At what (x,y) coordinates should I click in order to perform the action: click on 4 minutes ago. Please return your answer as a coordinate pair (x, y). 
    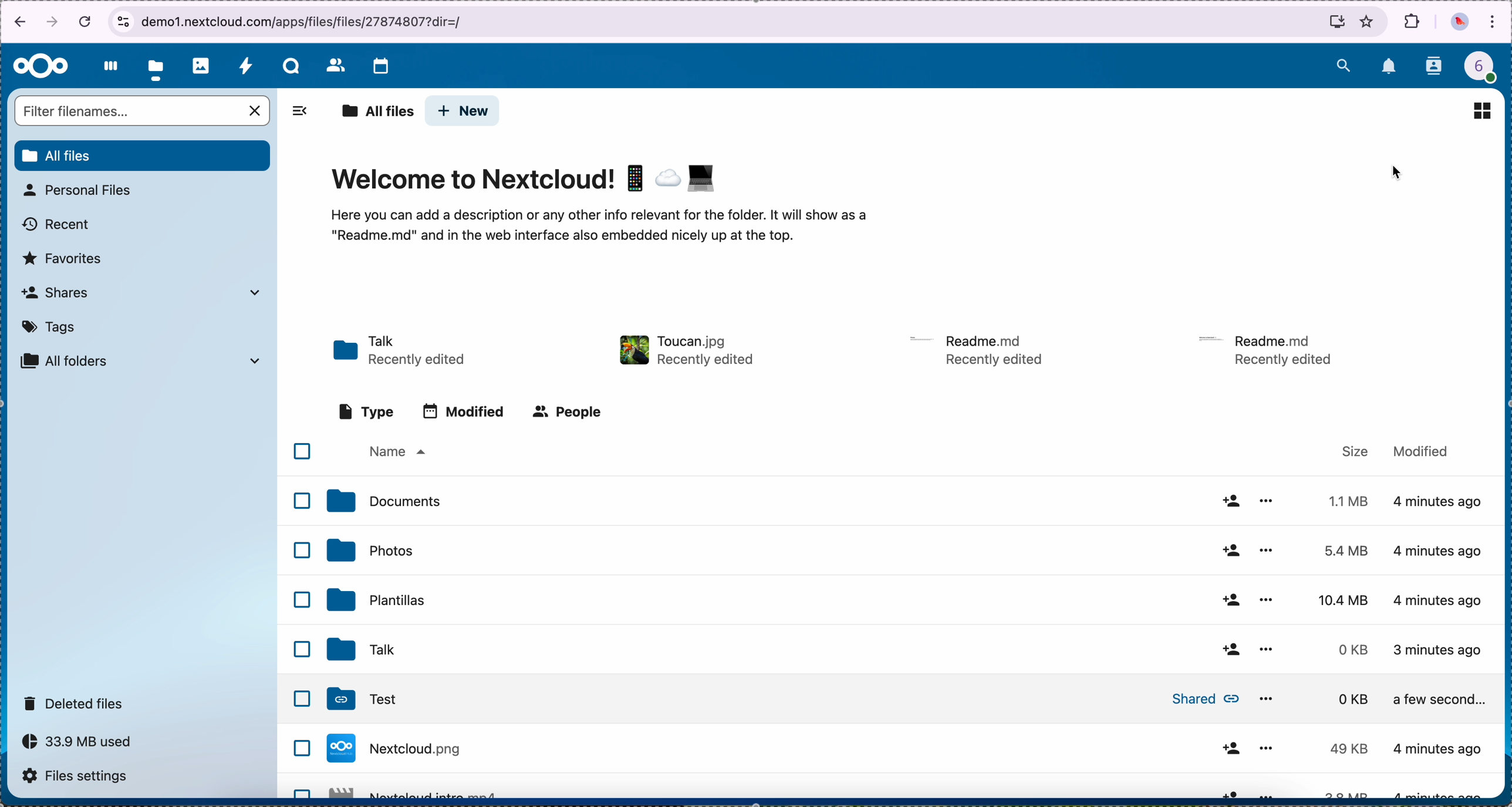
    Looking at the image, I should click on (1439, 701).